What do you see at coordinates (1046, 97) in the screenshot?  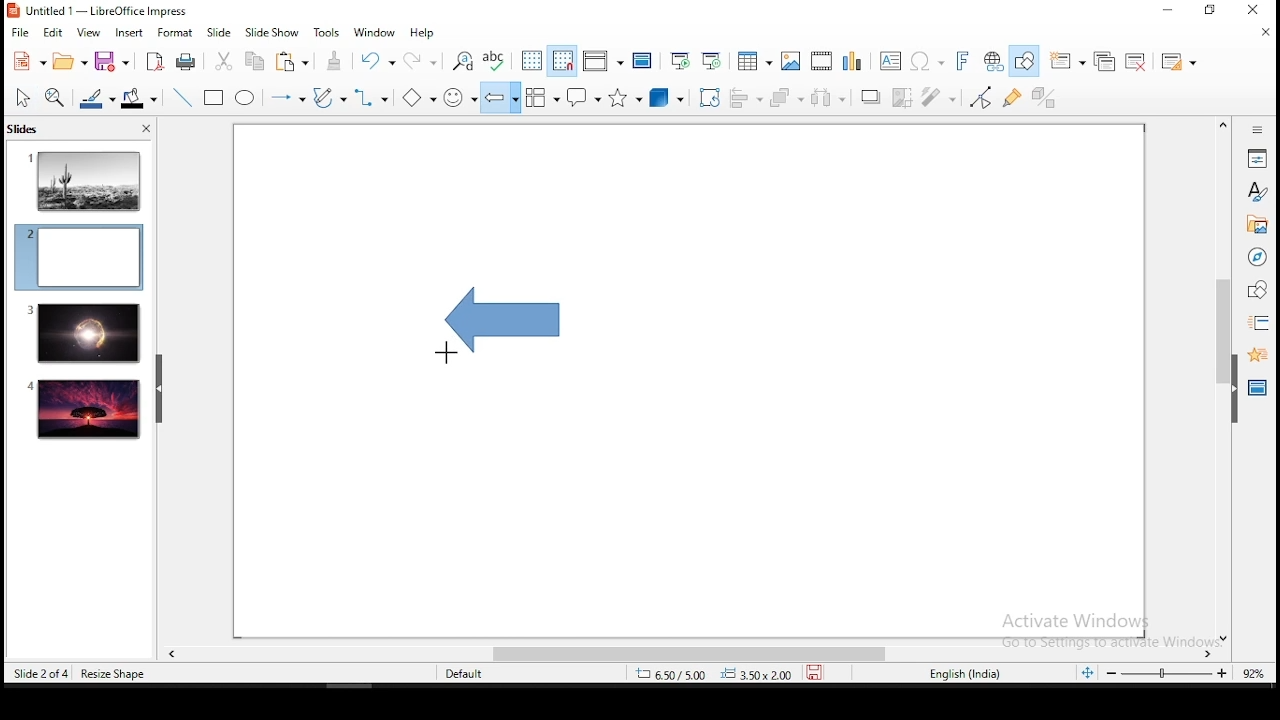 I see `toggle extrusiuon` at bounding box center [1046, 97].